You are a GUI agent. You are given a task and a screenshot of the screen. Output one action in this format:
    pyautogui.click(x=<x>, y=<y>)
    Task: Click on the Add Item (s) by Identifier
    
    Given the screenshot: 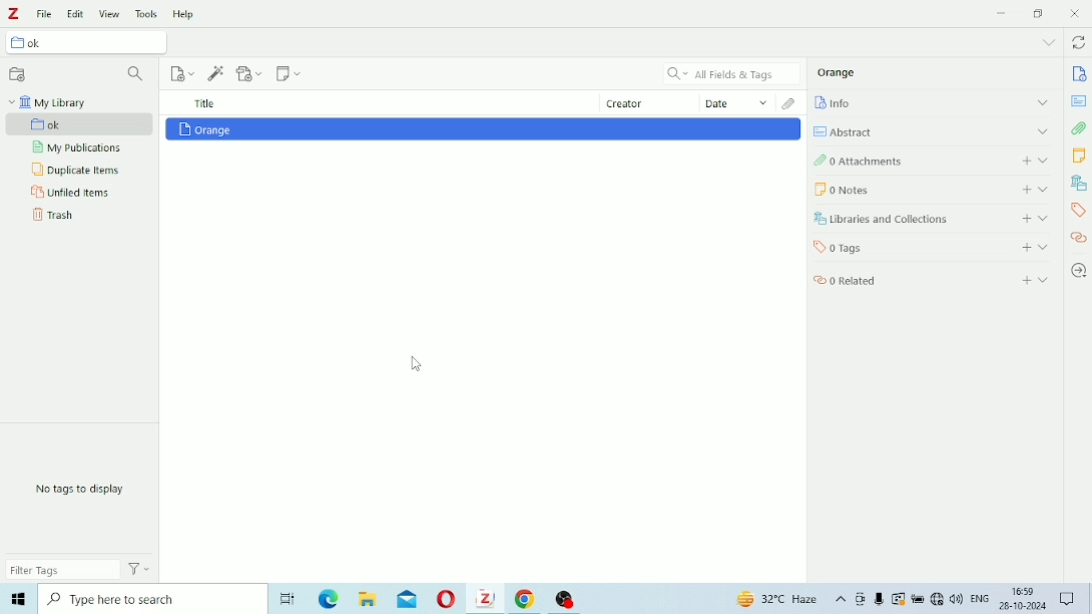 What is the action you would take?
    pyautogui.click(x=217, y=73)
    